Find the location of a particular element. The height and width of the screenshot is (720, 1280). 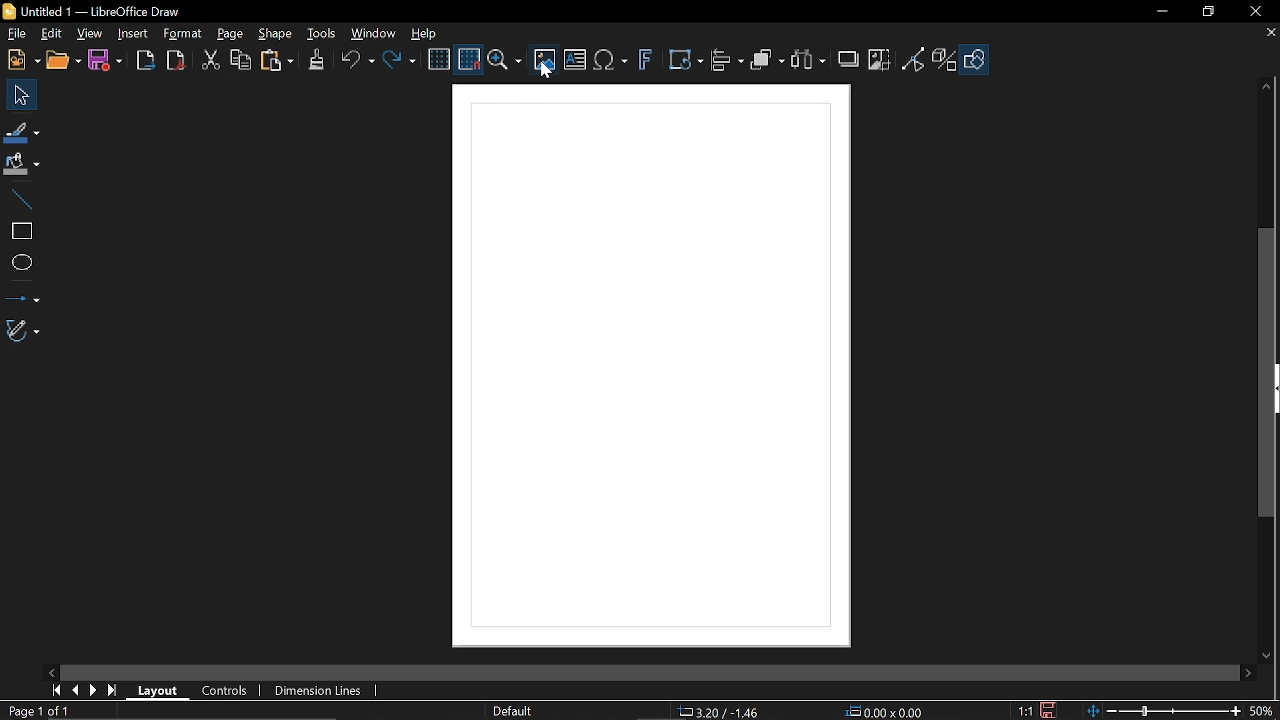

Rectangle is located at coordinates (18, 227).